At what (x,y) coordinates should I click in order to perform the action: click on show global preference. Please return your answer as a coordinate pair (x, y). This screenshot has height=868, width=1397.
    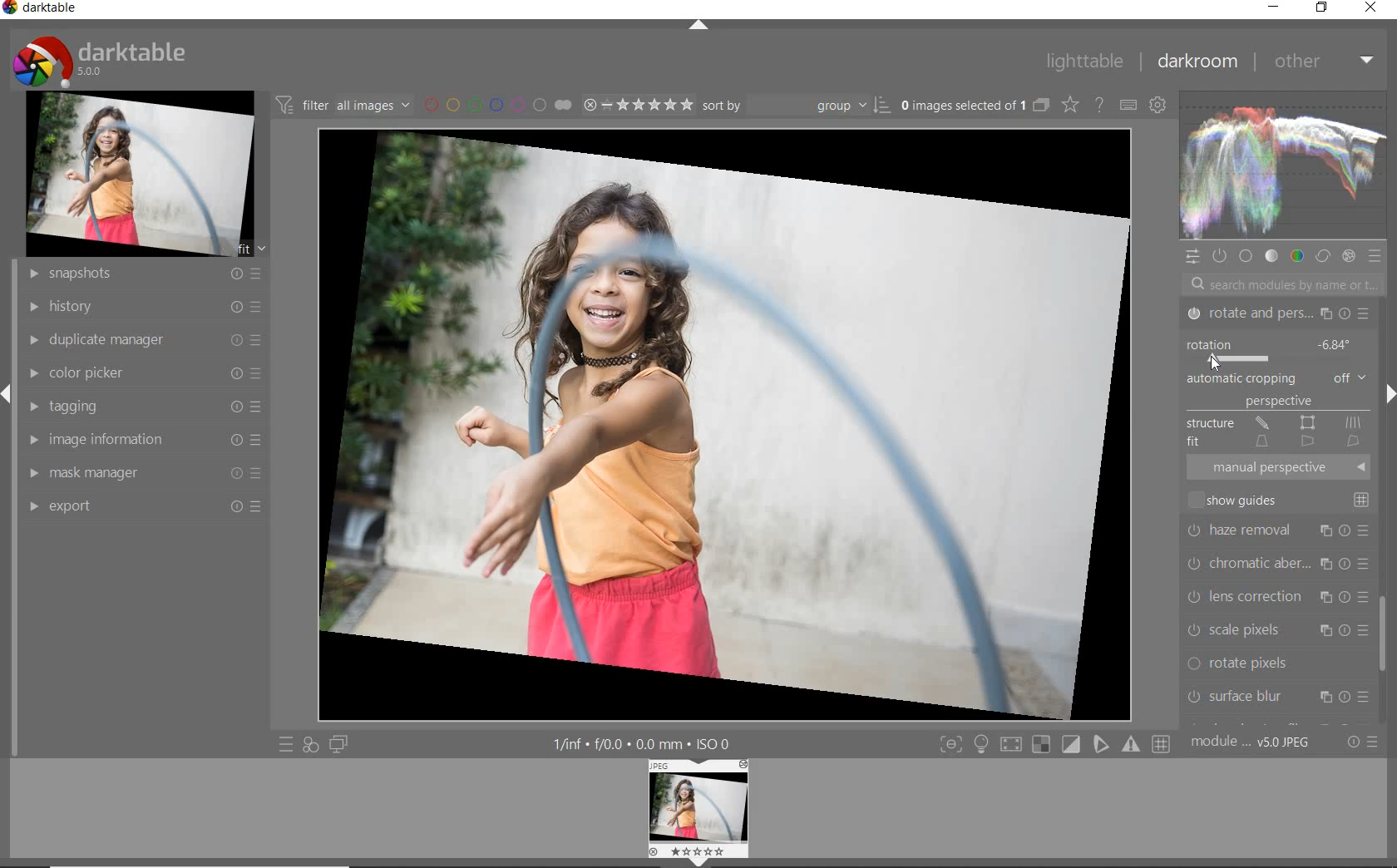
    Looking at the image, I should click on (1156, 102).